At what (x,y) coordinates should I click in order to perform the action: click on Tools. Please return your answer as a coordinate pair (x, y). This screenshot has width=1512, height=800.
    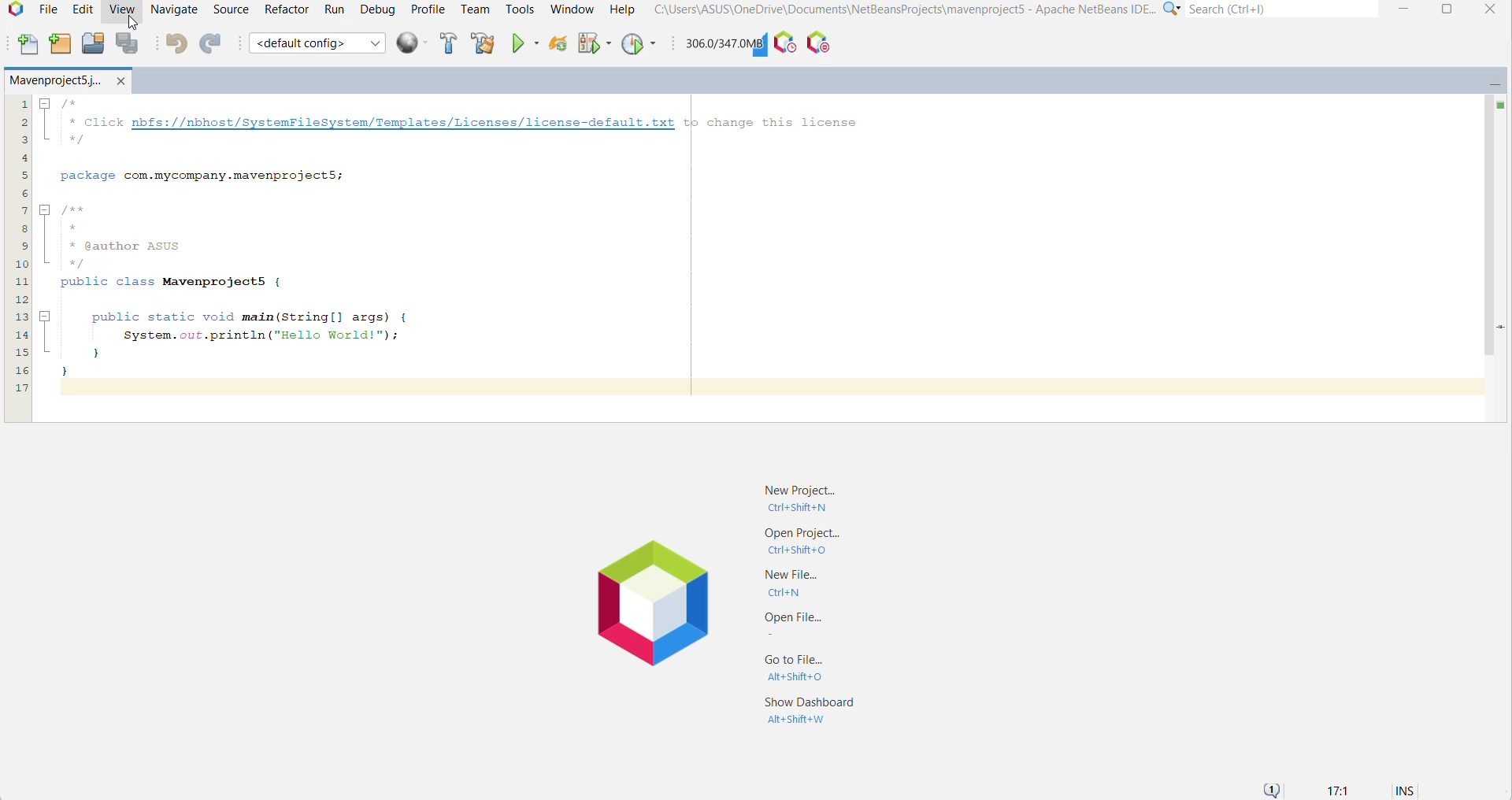
    Looking at the image, I should click on (520, 9).